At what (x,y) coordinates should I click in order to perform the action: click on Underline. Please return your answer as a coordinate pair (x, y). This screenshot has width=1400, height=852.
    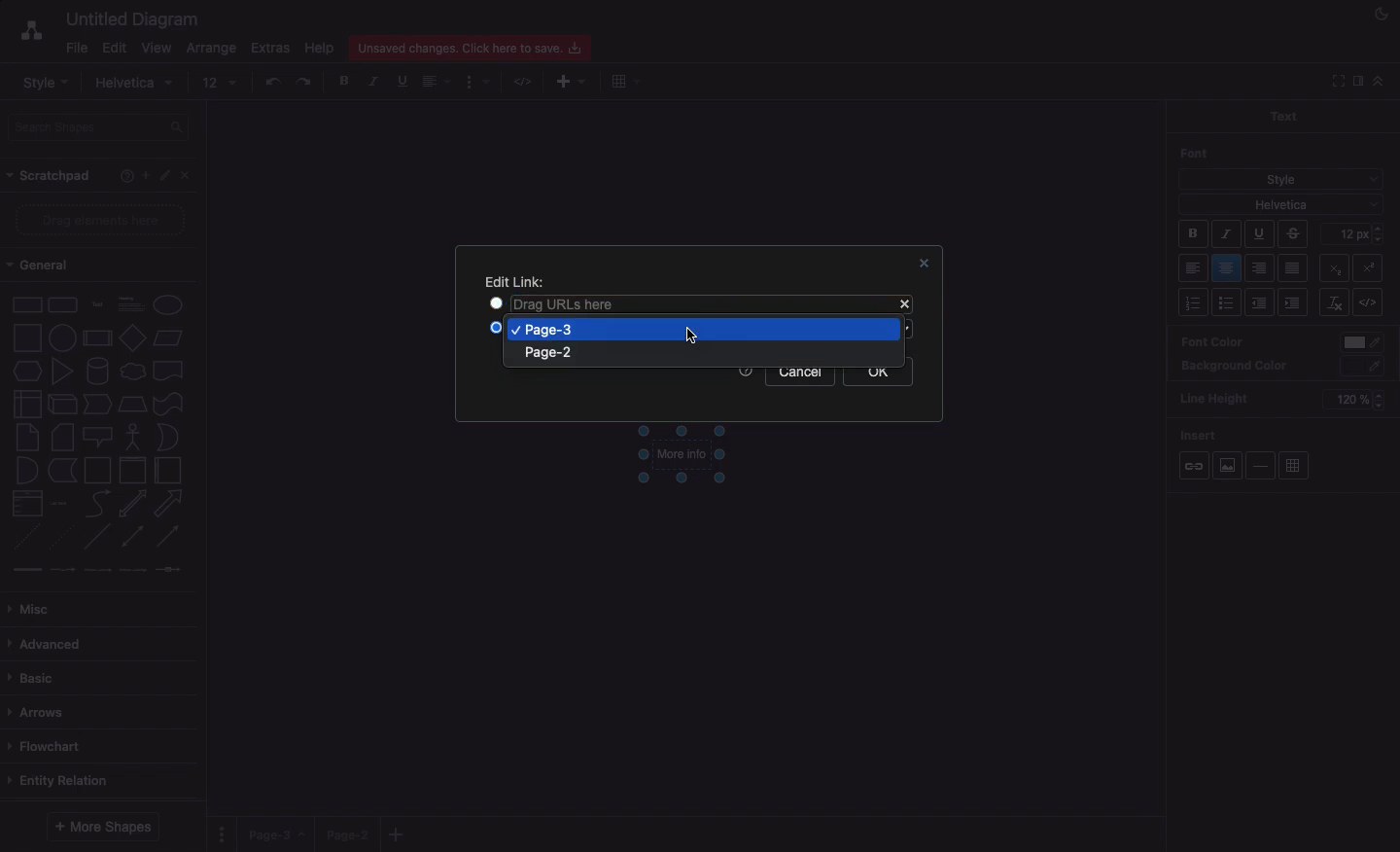
    Looking at the image, I should click on (401, 81).